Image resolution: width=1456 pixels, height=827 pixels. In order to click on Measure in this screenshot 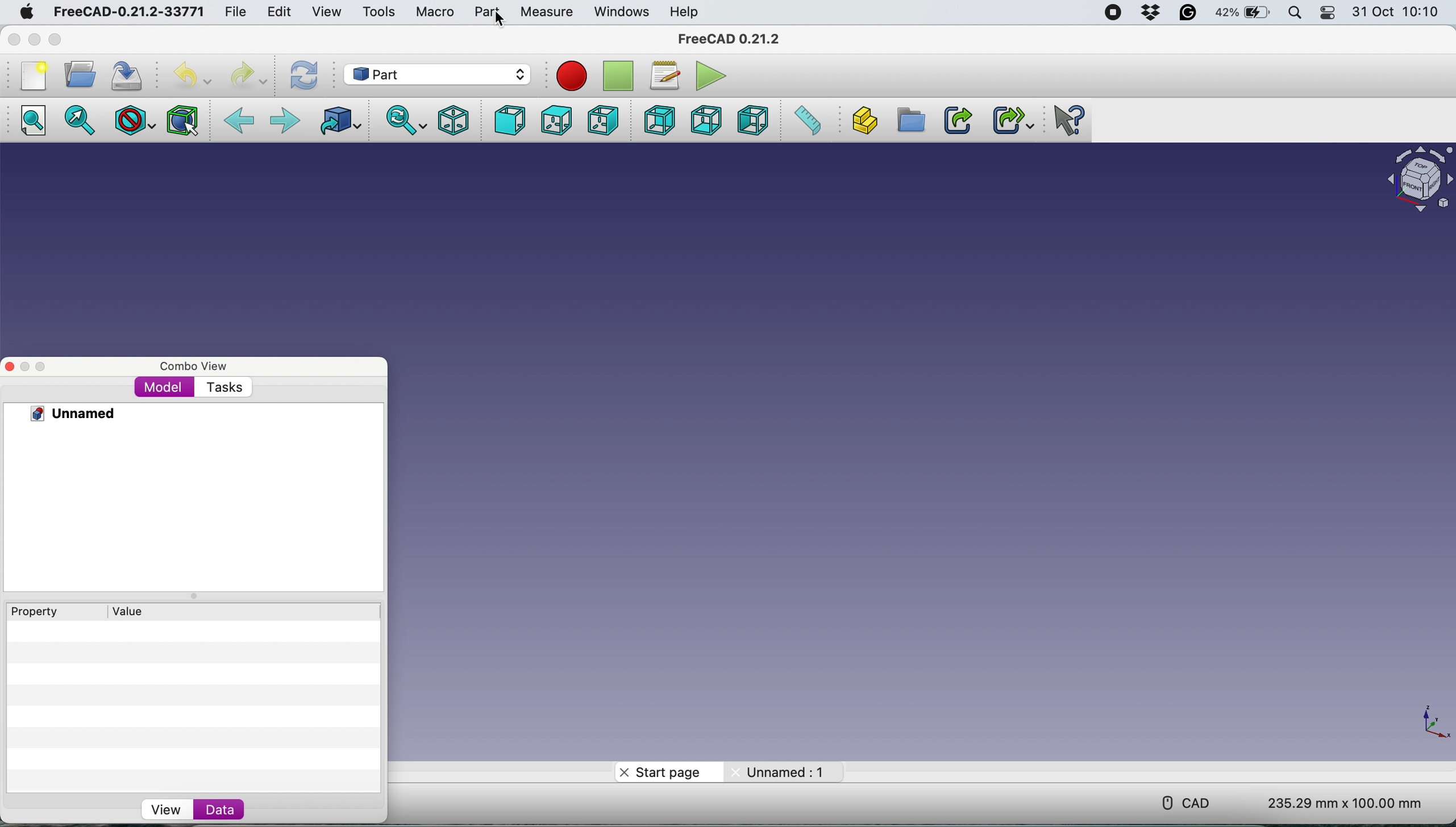, I will do `click(546, 12)`.